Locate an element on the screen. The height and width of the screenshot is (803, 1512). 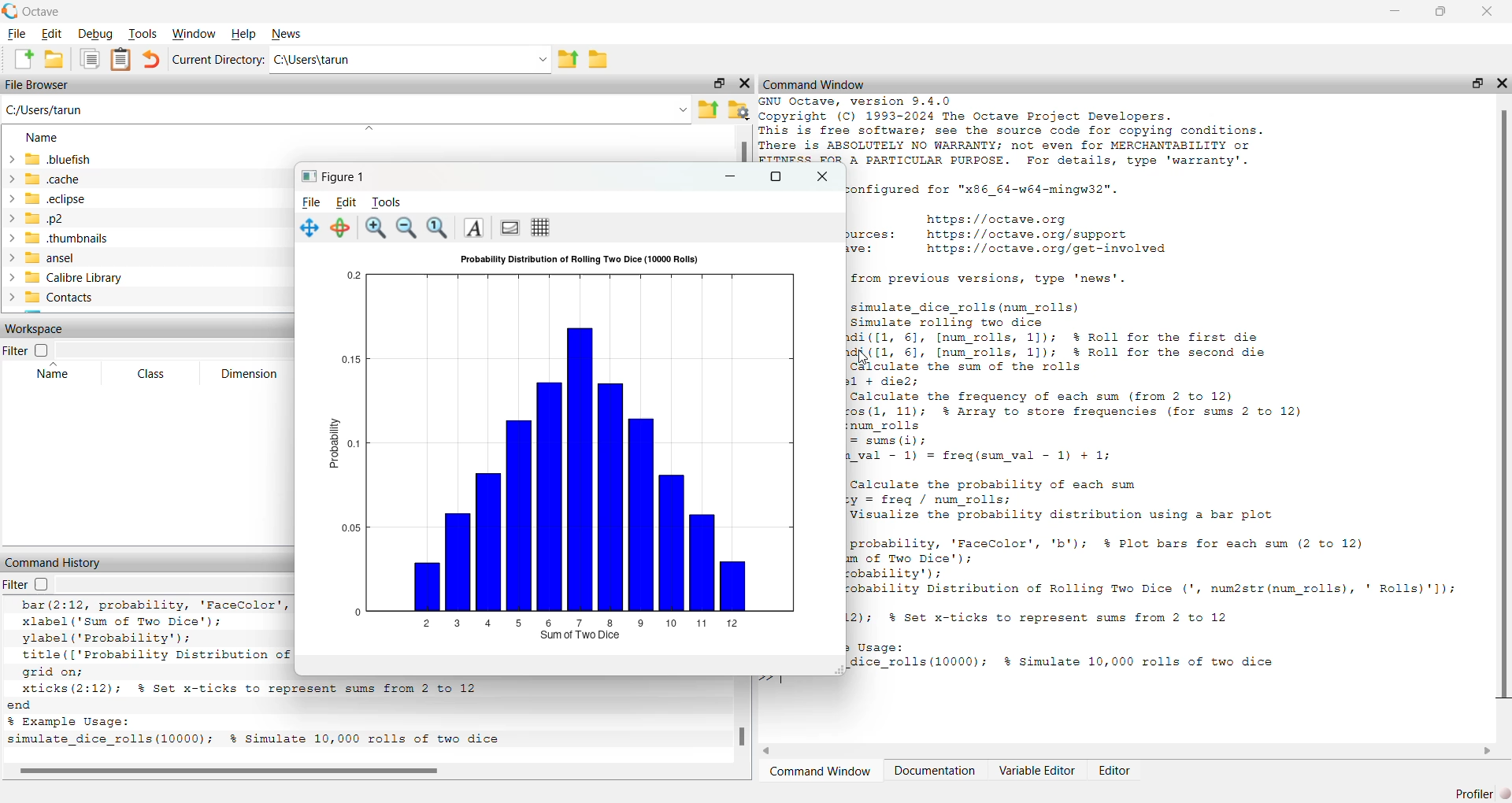
Profiler is located at coordinates (1471, 794).